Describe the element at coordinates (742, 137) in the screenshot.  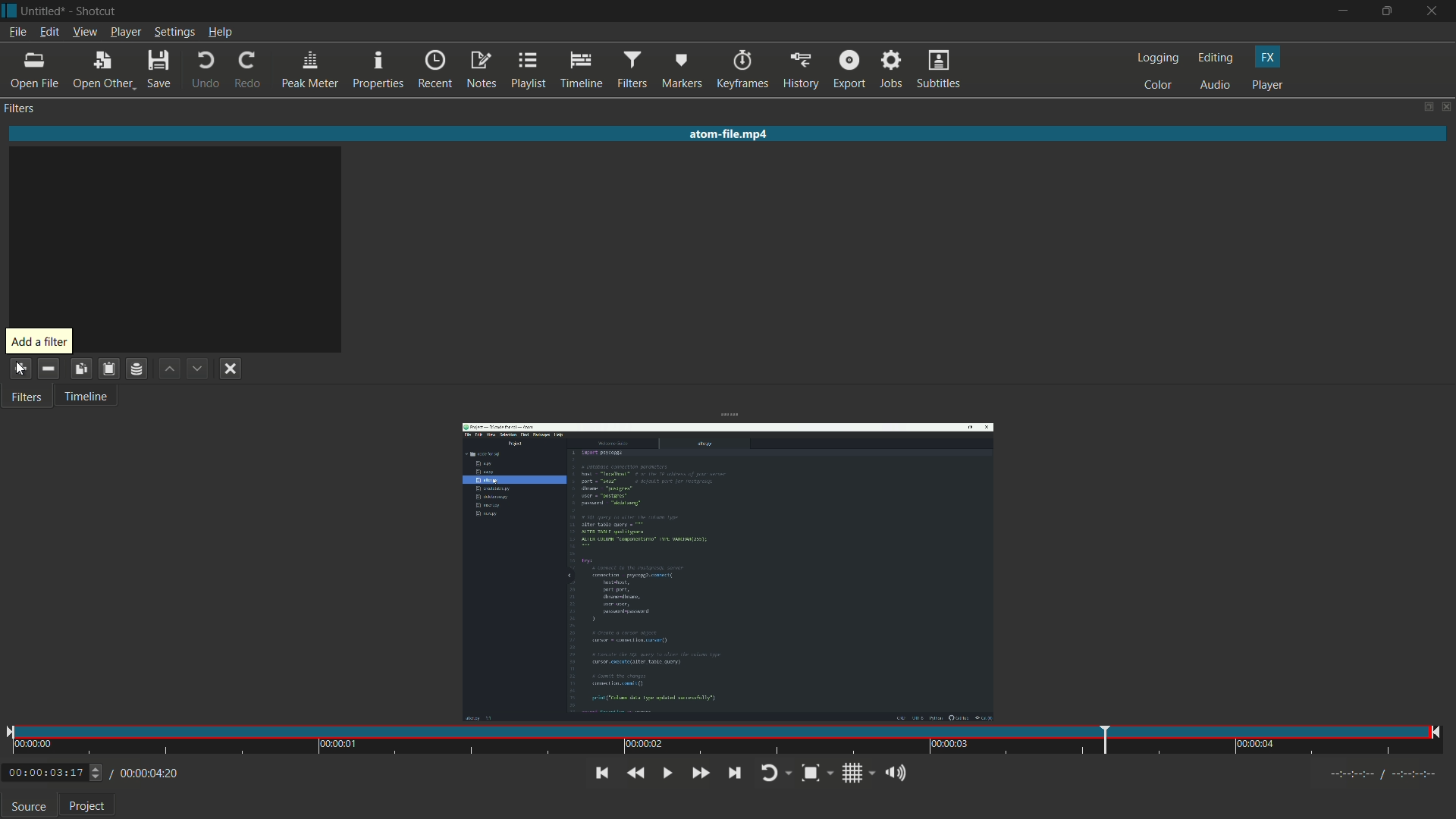
I see `atom-file.mp4 (imported video name)` at that location.